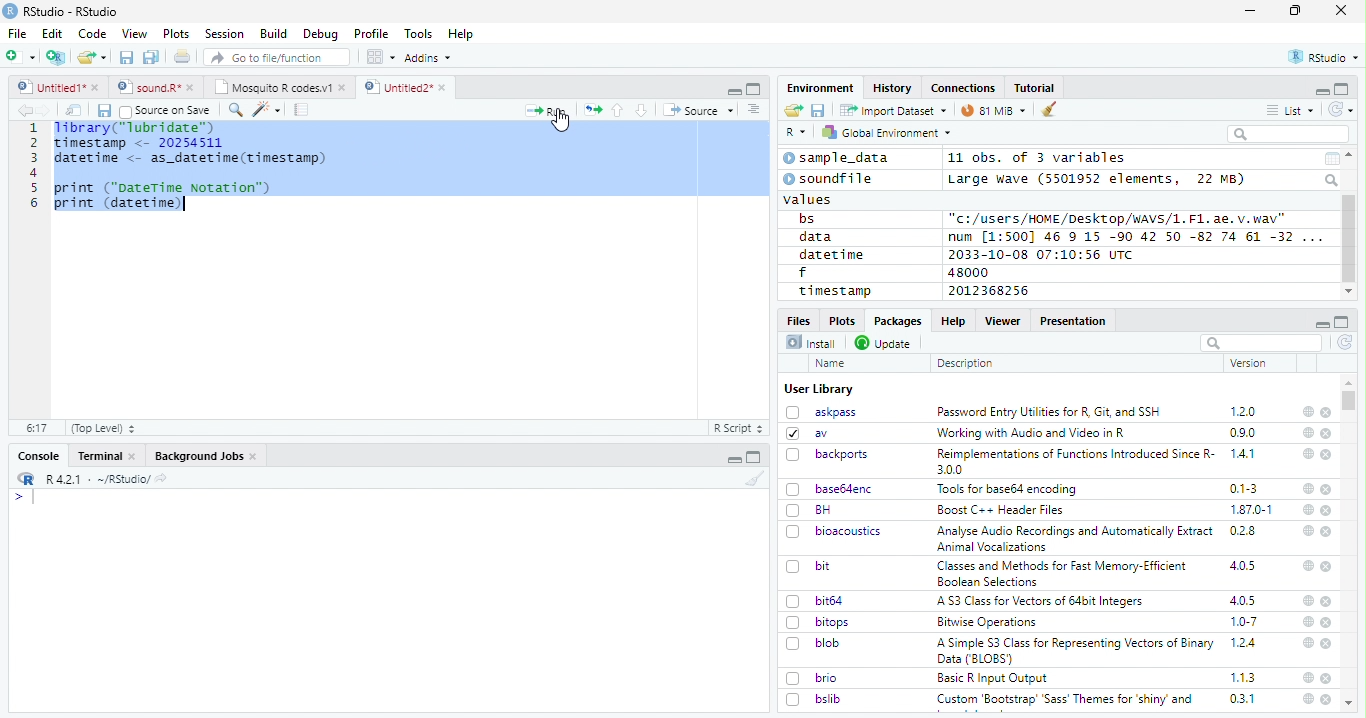 The image size is (1366, 718). I want to click on 55:17, so click(38, 428).